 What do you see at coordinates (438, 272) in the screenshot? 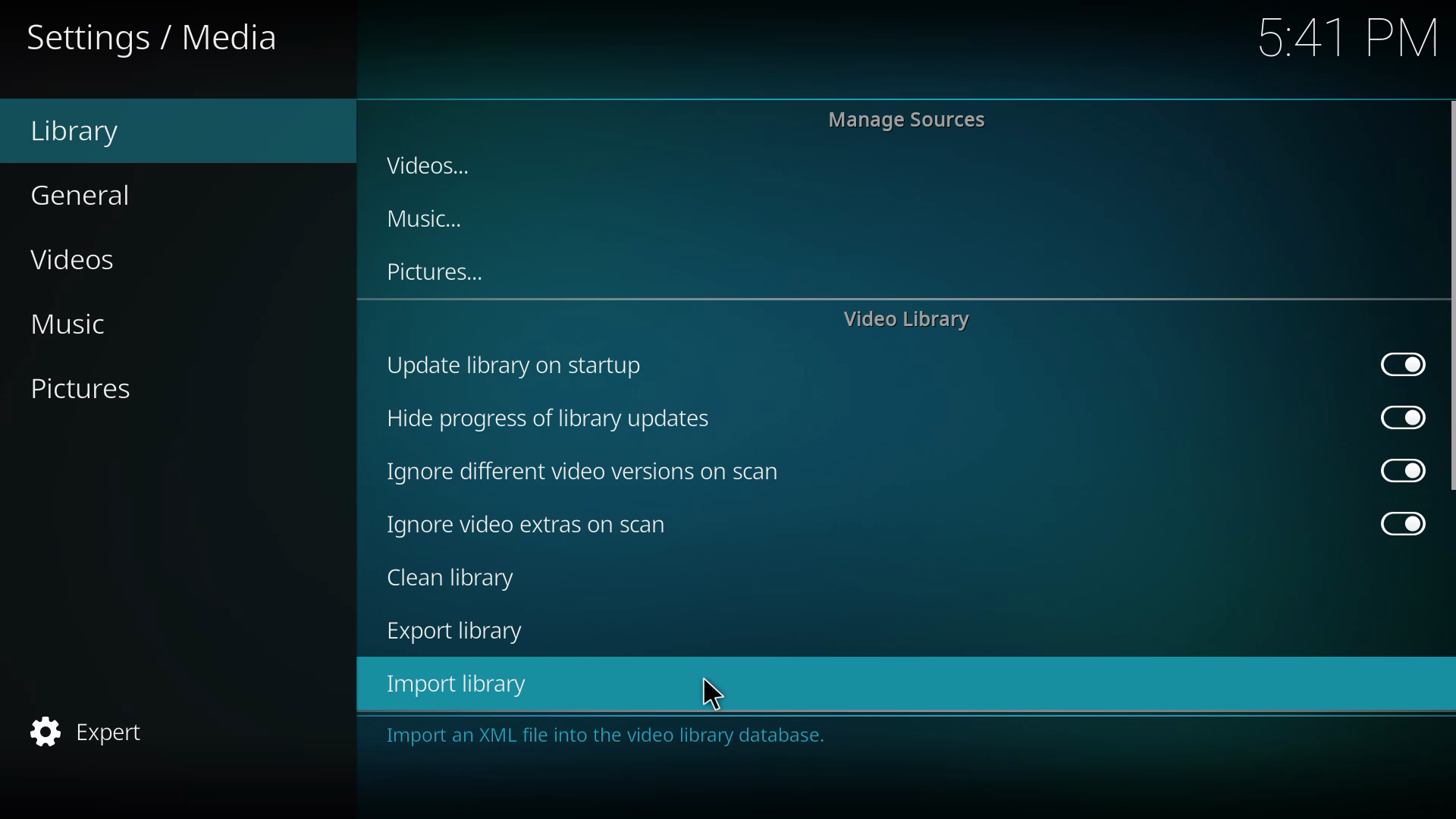
I see `pictures` at bounding box center [438, 272].